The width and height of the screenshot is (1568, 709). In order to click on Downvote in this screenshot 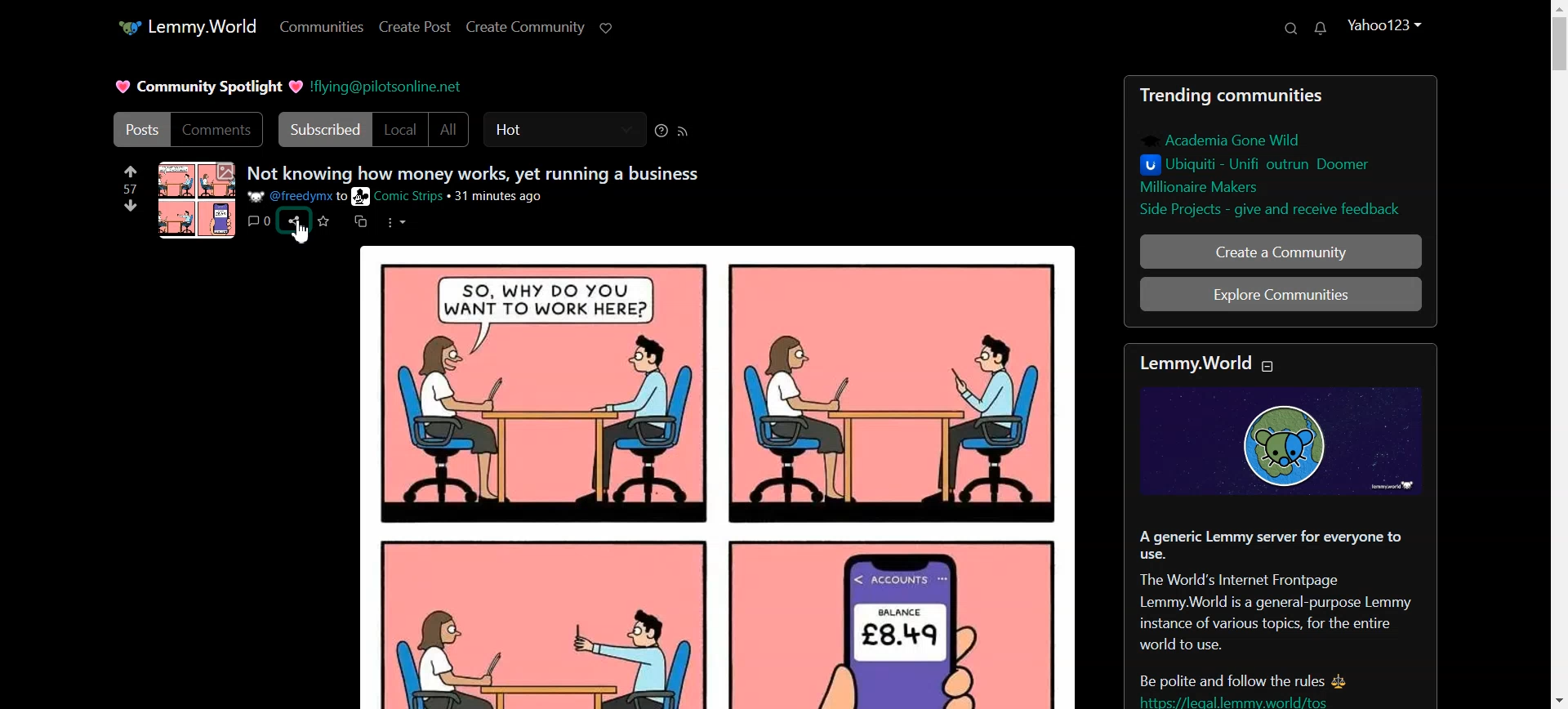, I will do `click(131, 205)`.